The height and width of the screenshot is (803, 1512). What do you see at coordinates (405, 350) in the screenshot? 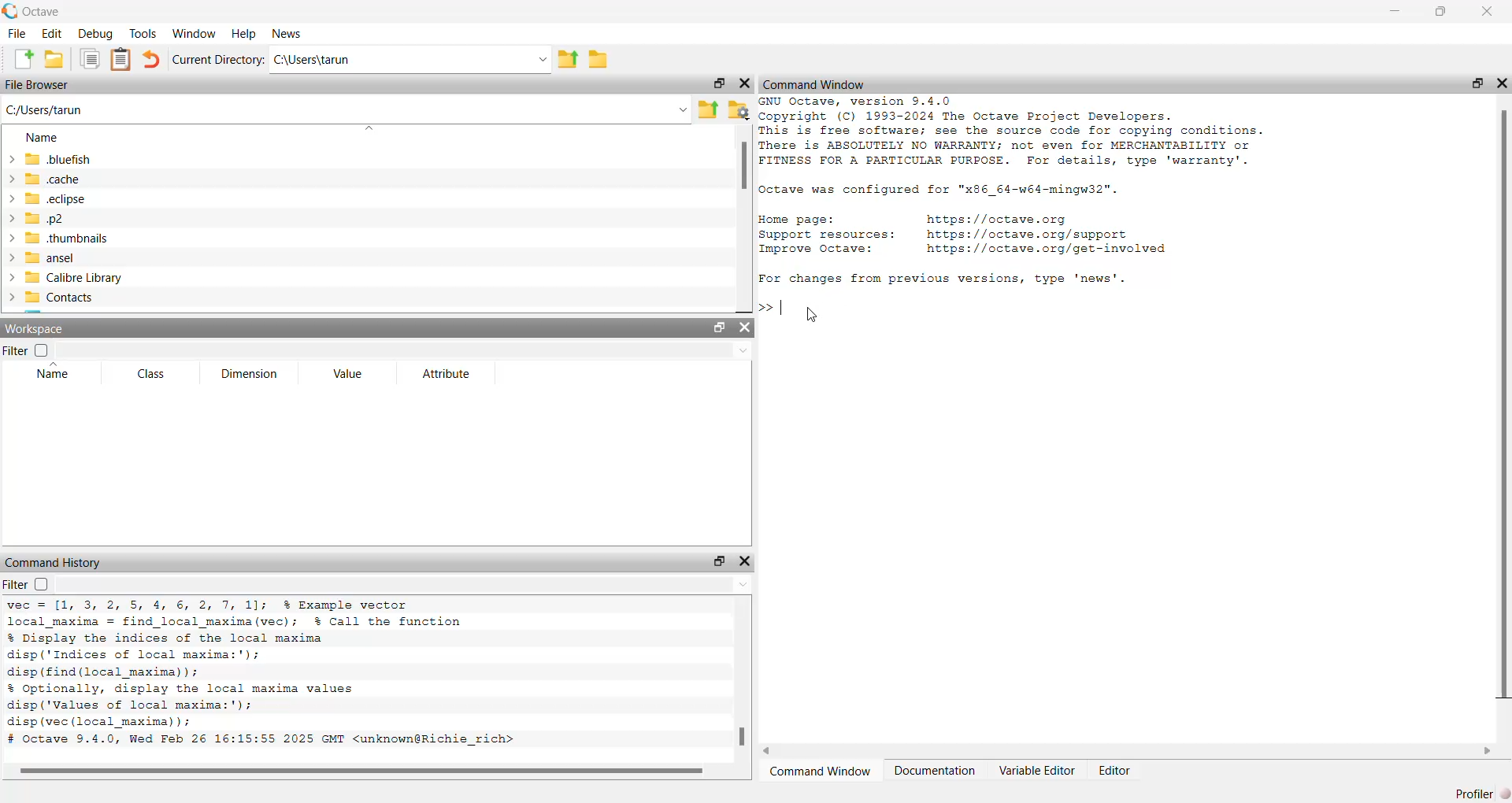
I see `Enter text to filter the workspace` at bounding box center [405, 350].